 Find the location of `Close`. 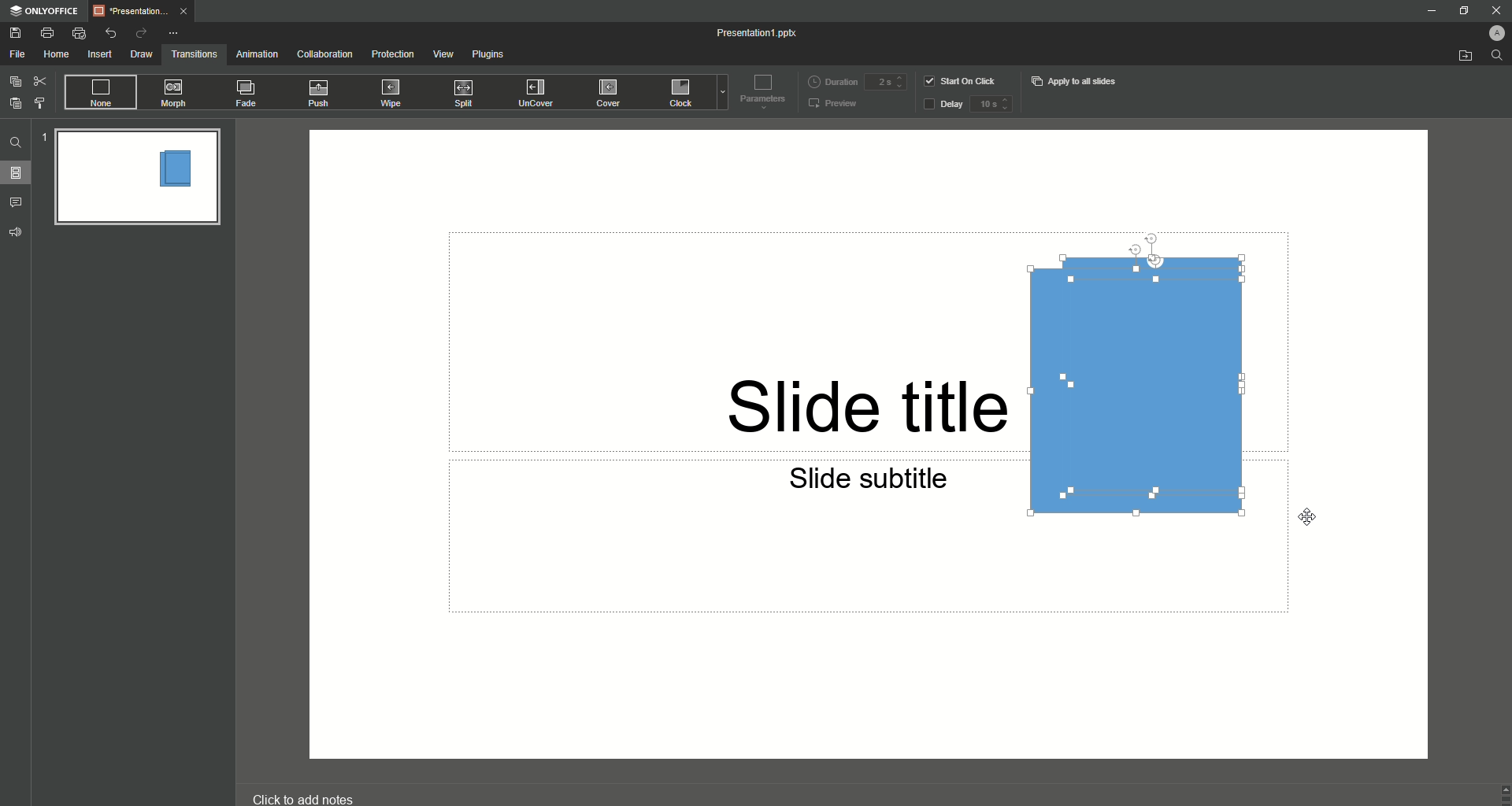

Close is located at coordinates (1489, 9).